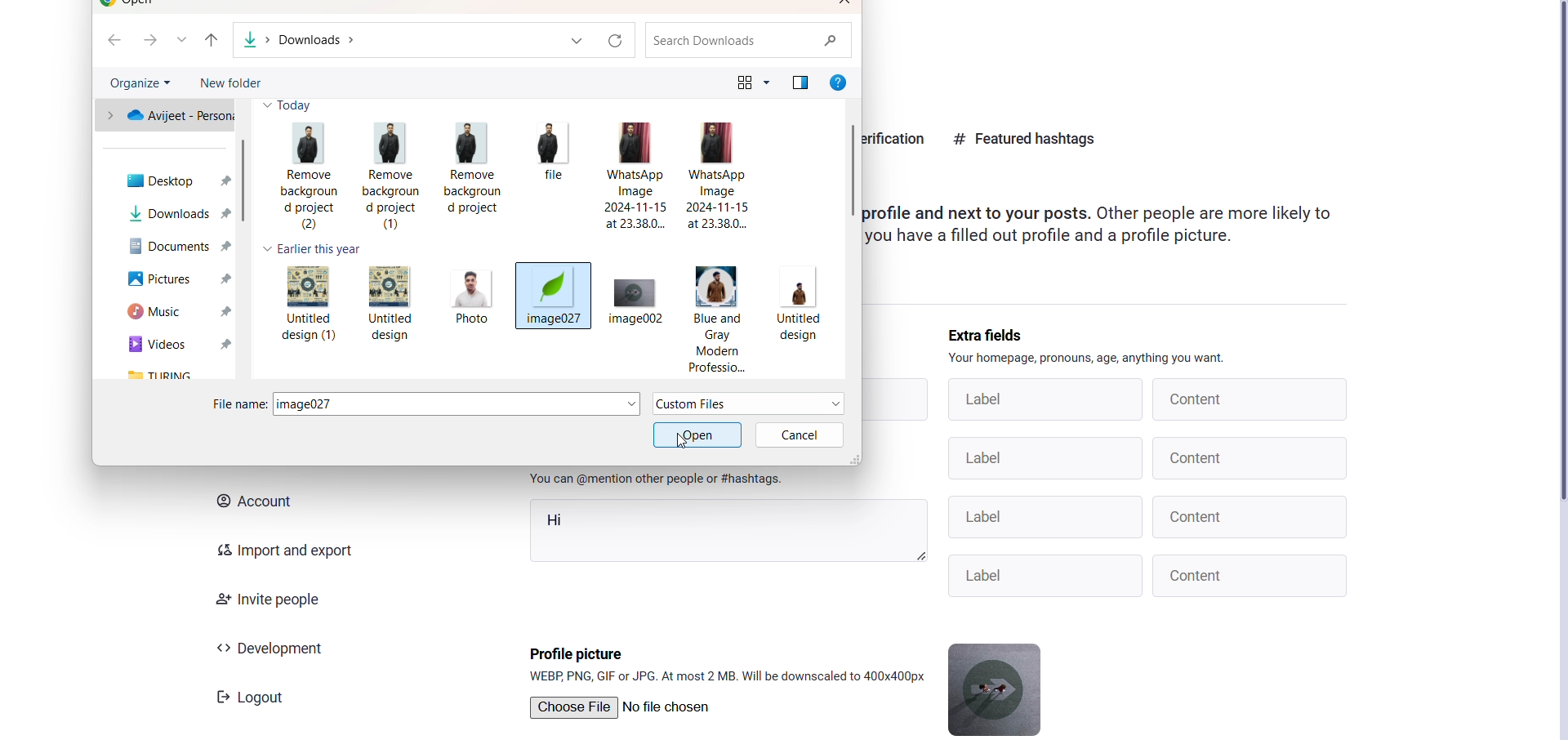 Image resolution: width=1568 pixels, height=740 pixels. Describe the element at coordinates (746, 40) in the screenshot. I see `search` at that location.